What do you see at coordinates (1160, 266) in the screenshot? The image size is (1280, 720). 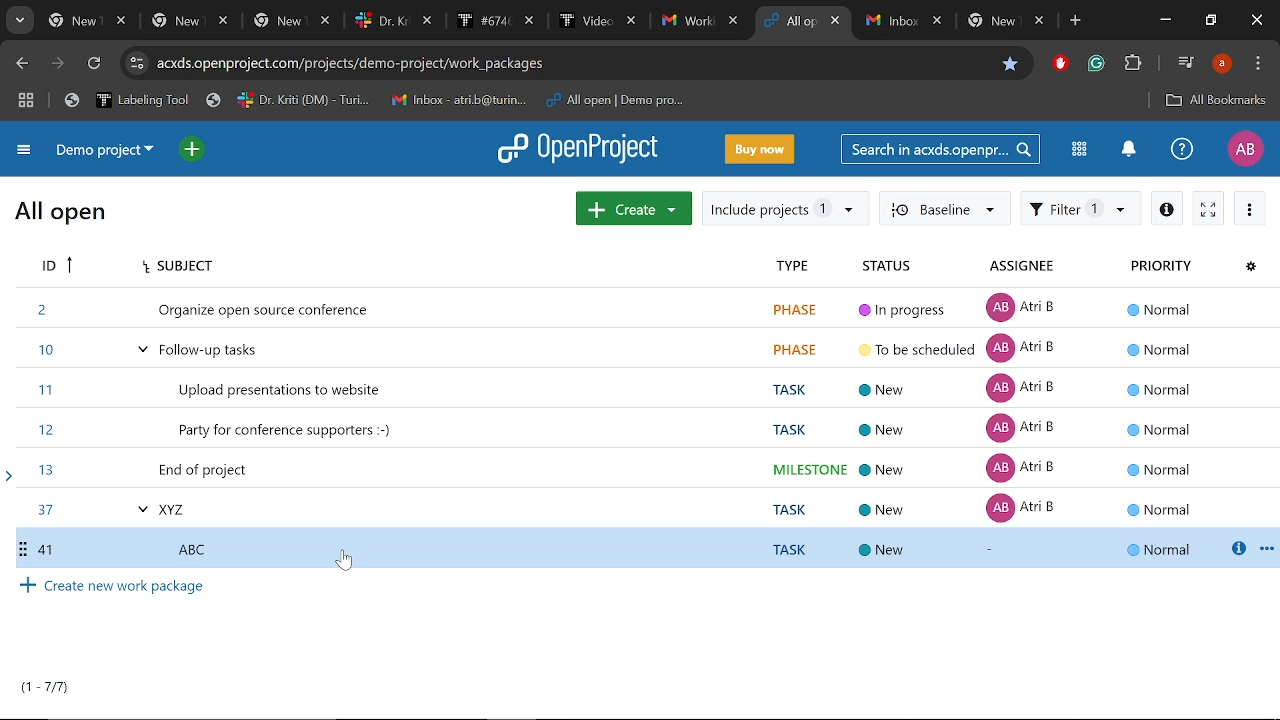 I see `Property` at bounding box center [1160, 266].